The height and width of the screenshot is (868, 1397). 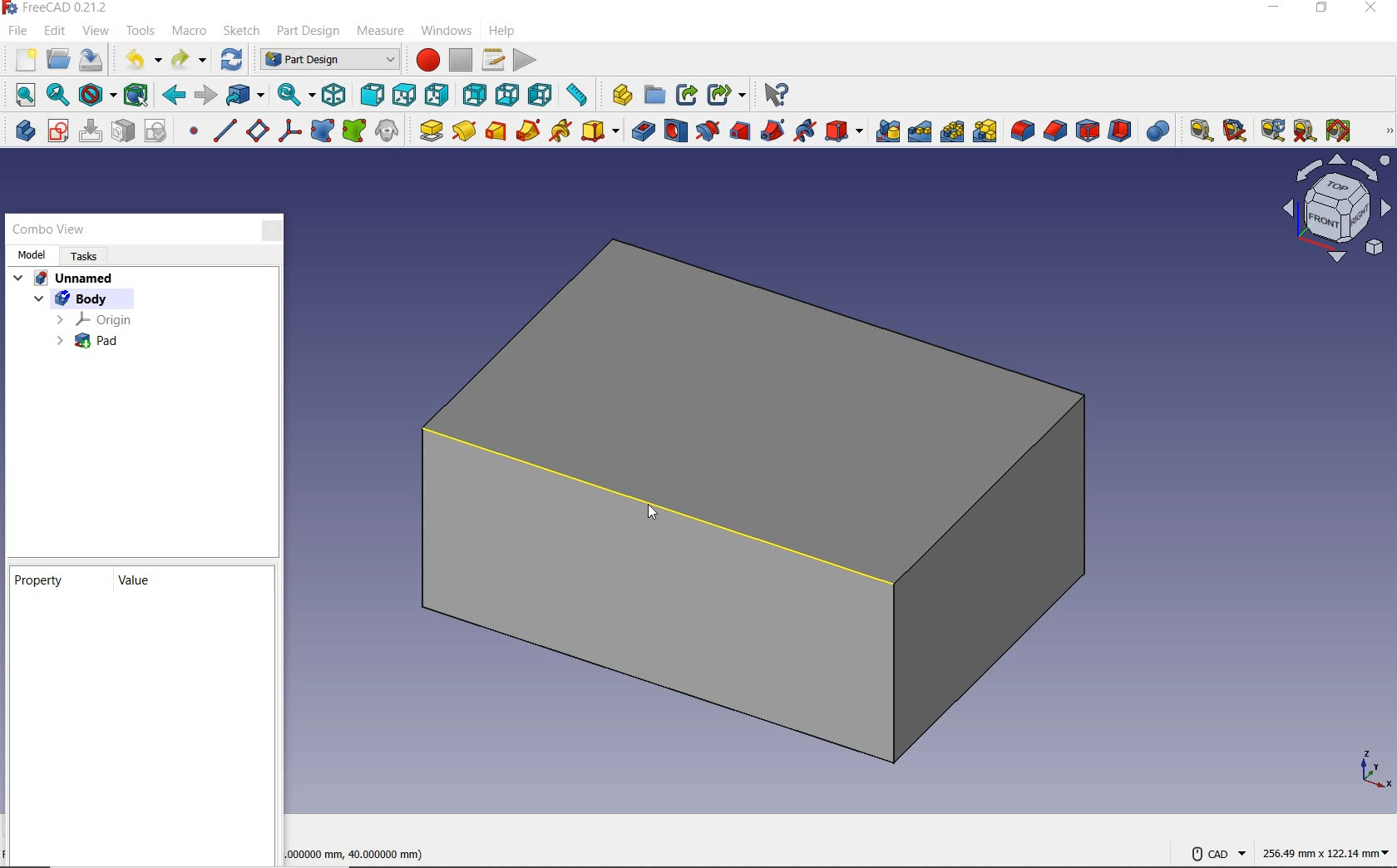 I want to click on unnamed, so click(x=65, y=277).